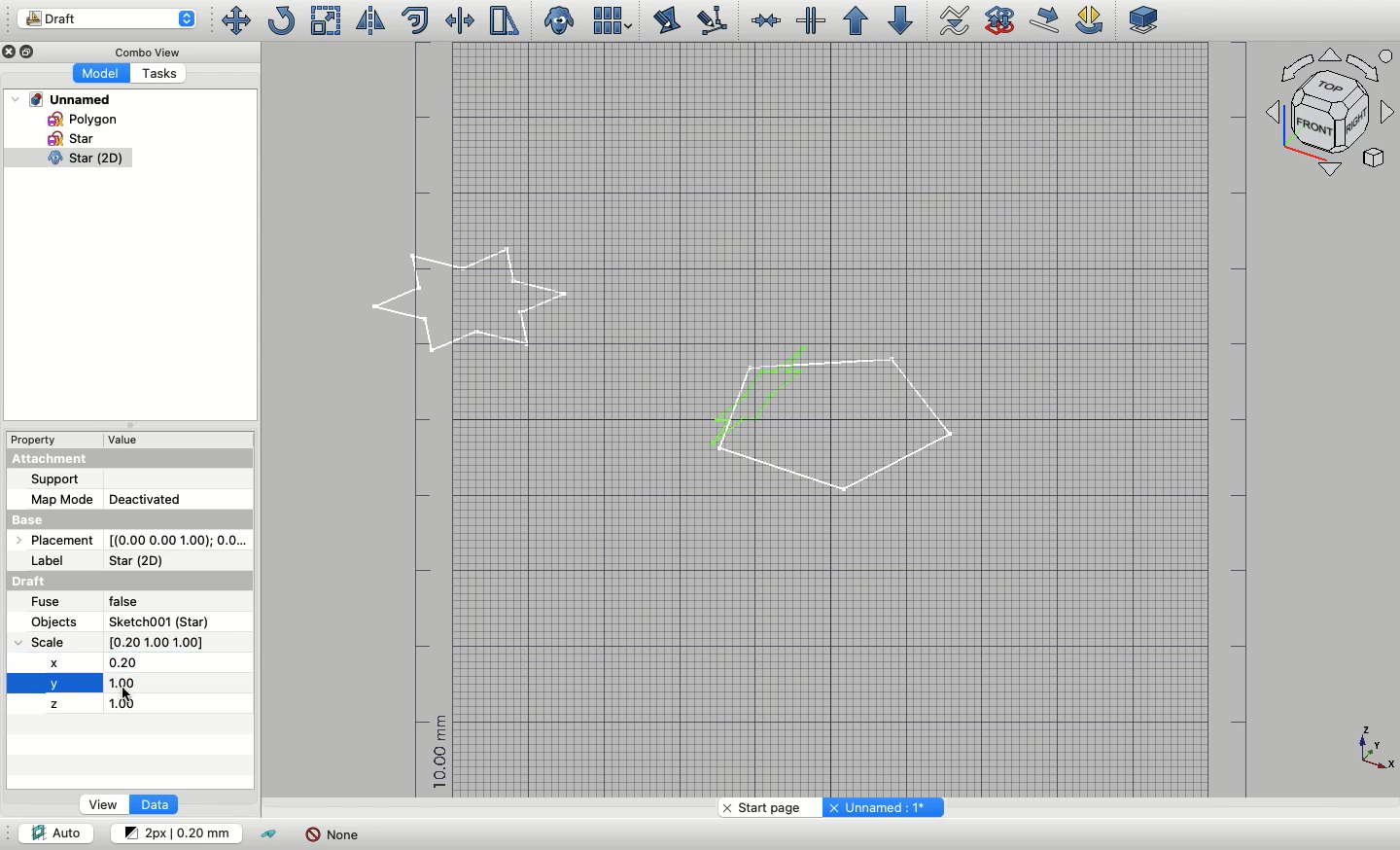  What do you see at coordinates (107, 18) in the screenshot?
I see `Draft` at bounding box center [107, 18].